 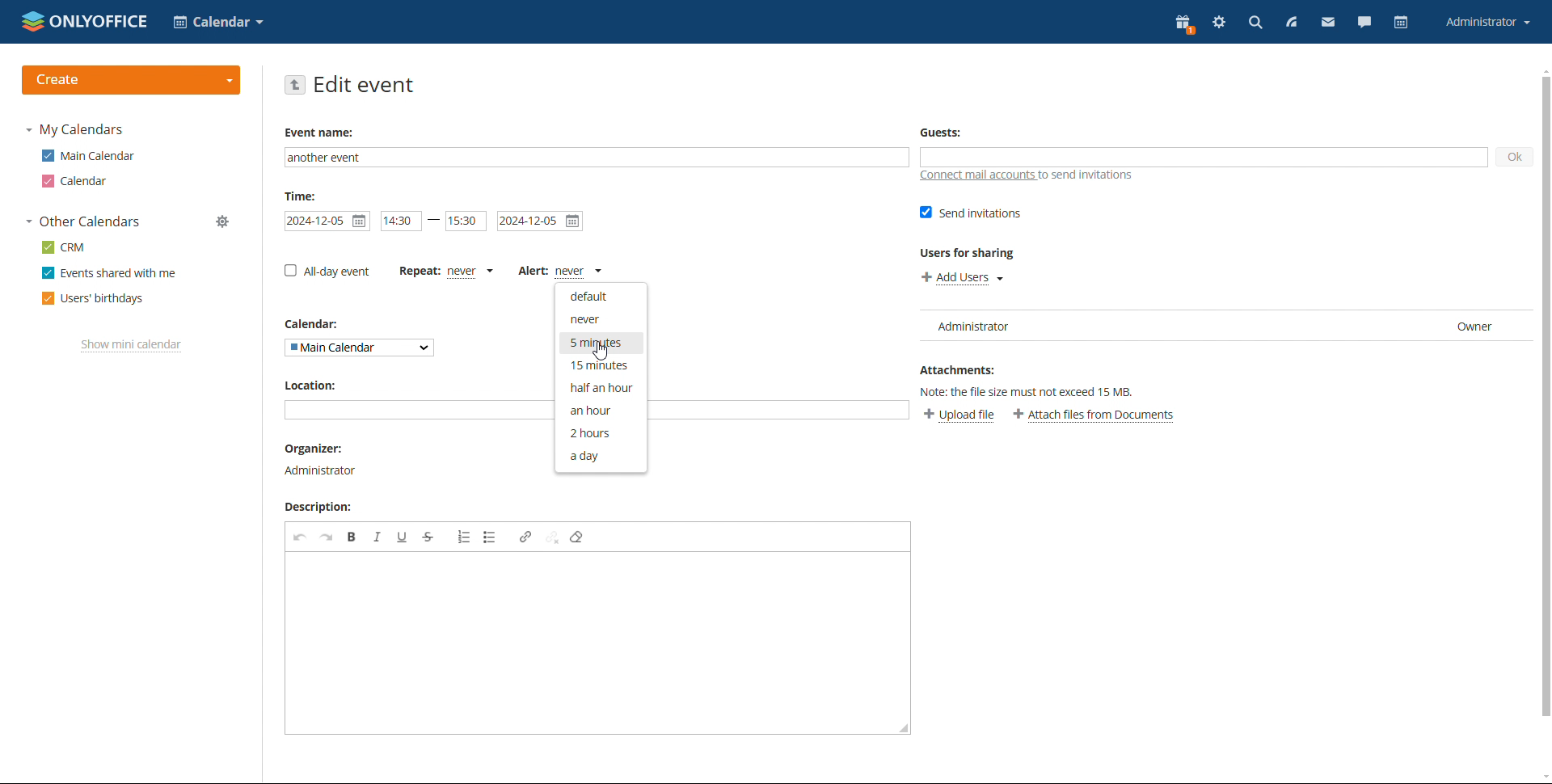 What do you see at coordinates (377, 537) in the screenshot?
I see `italic` at bounding box center [377, 537].